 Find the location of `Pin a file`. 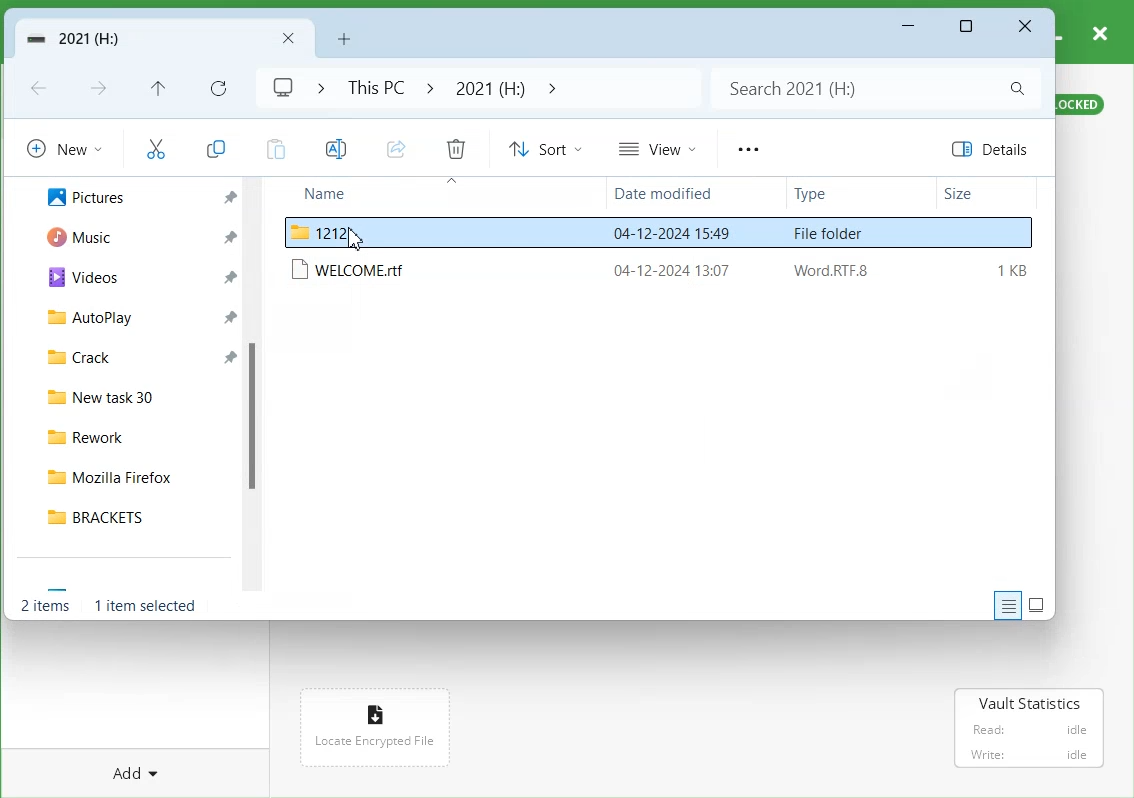

Pin a file is located at coordinates (228, 315).